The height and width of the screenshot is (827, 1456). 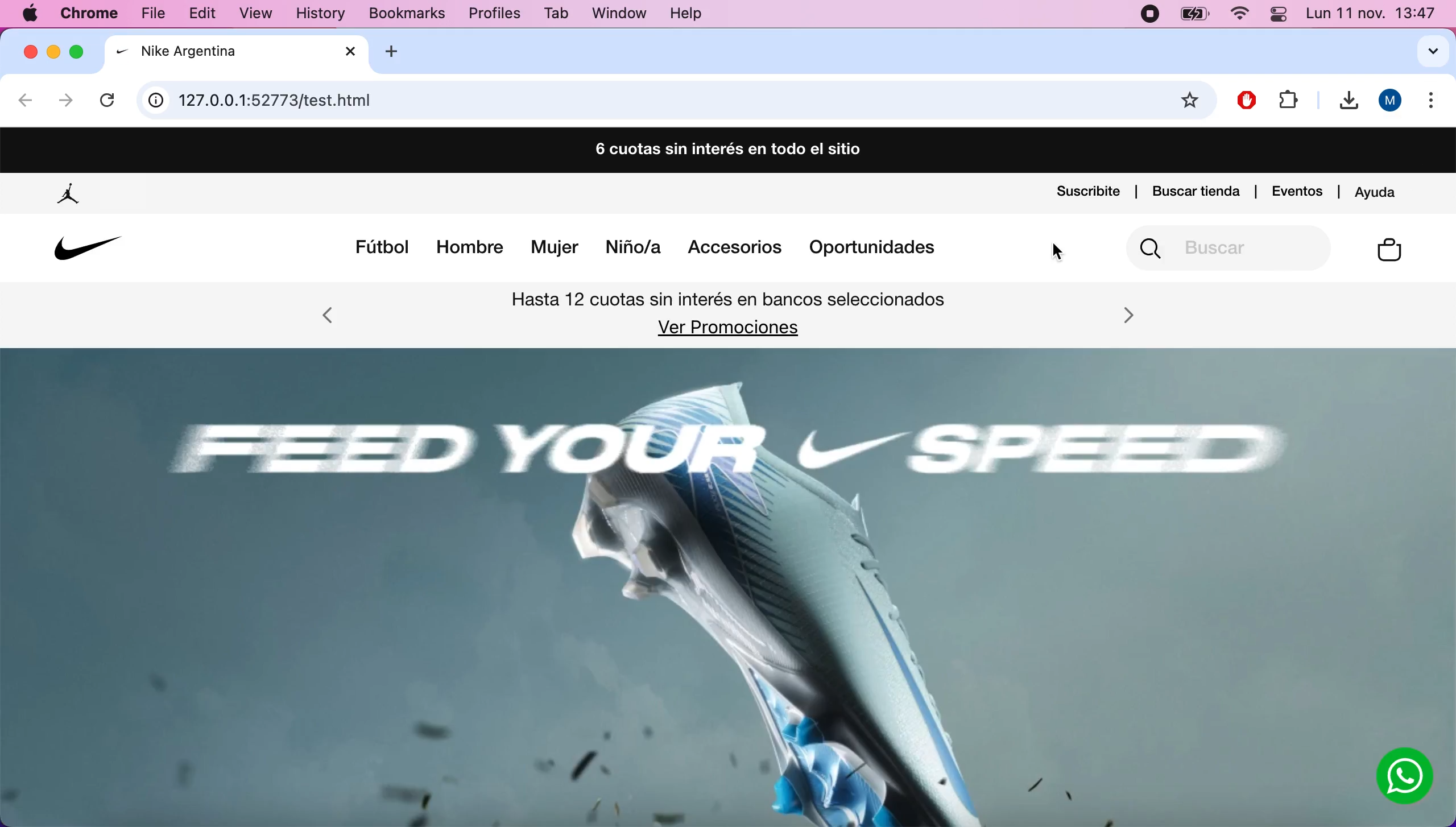 What do you see at coordinates (329, 319) in the screenshot?
I see `Go left` at bounding box center [329, 319].